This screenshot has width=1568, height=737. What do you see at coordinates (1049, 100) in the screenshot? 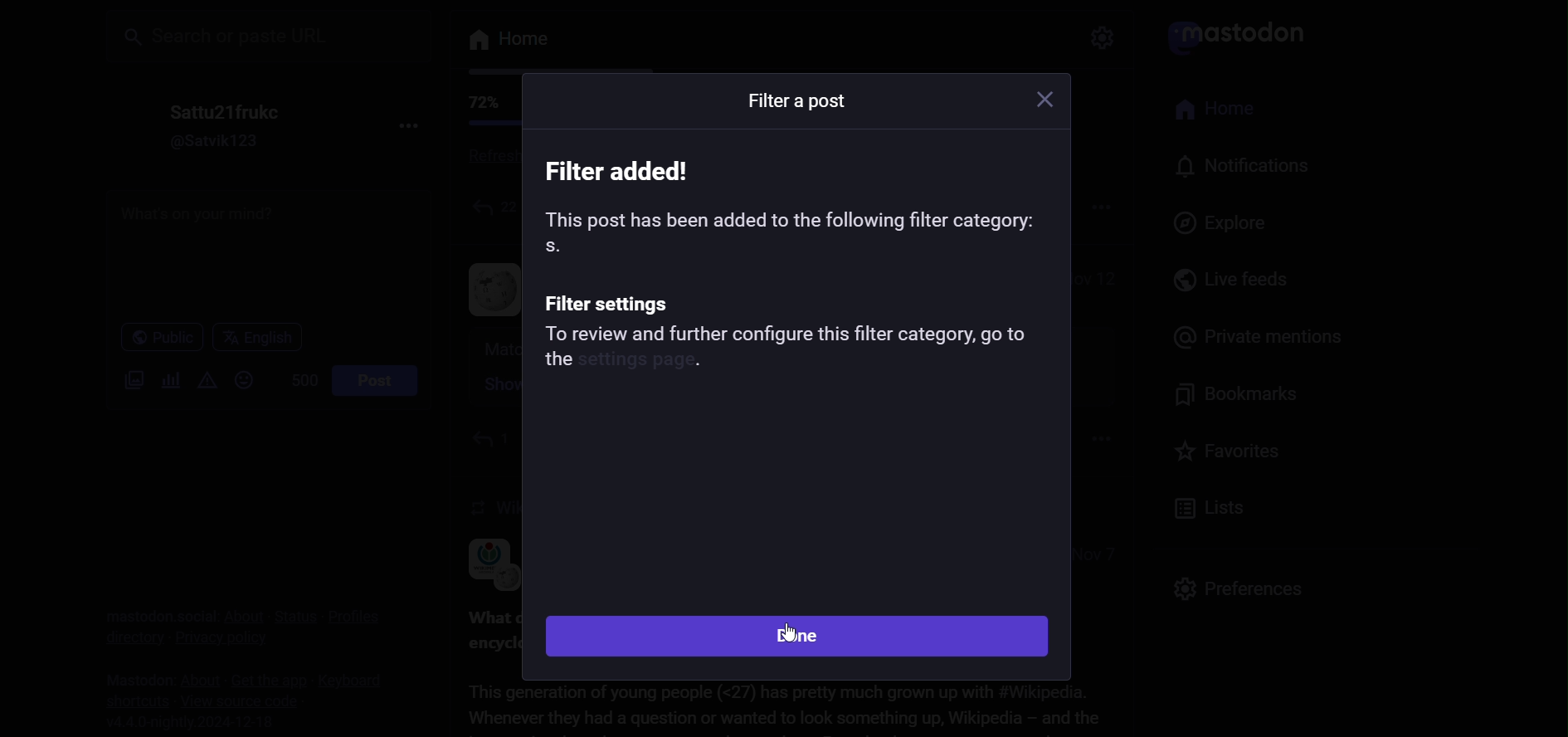
I see `close` at bounding box center [1049, 100].